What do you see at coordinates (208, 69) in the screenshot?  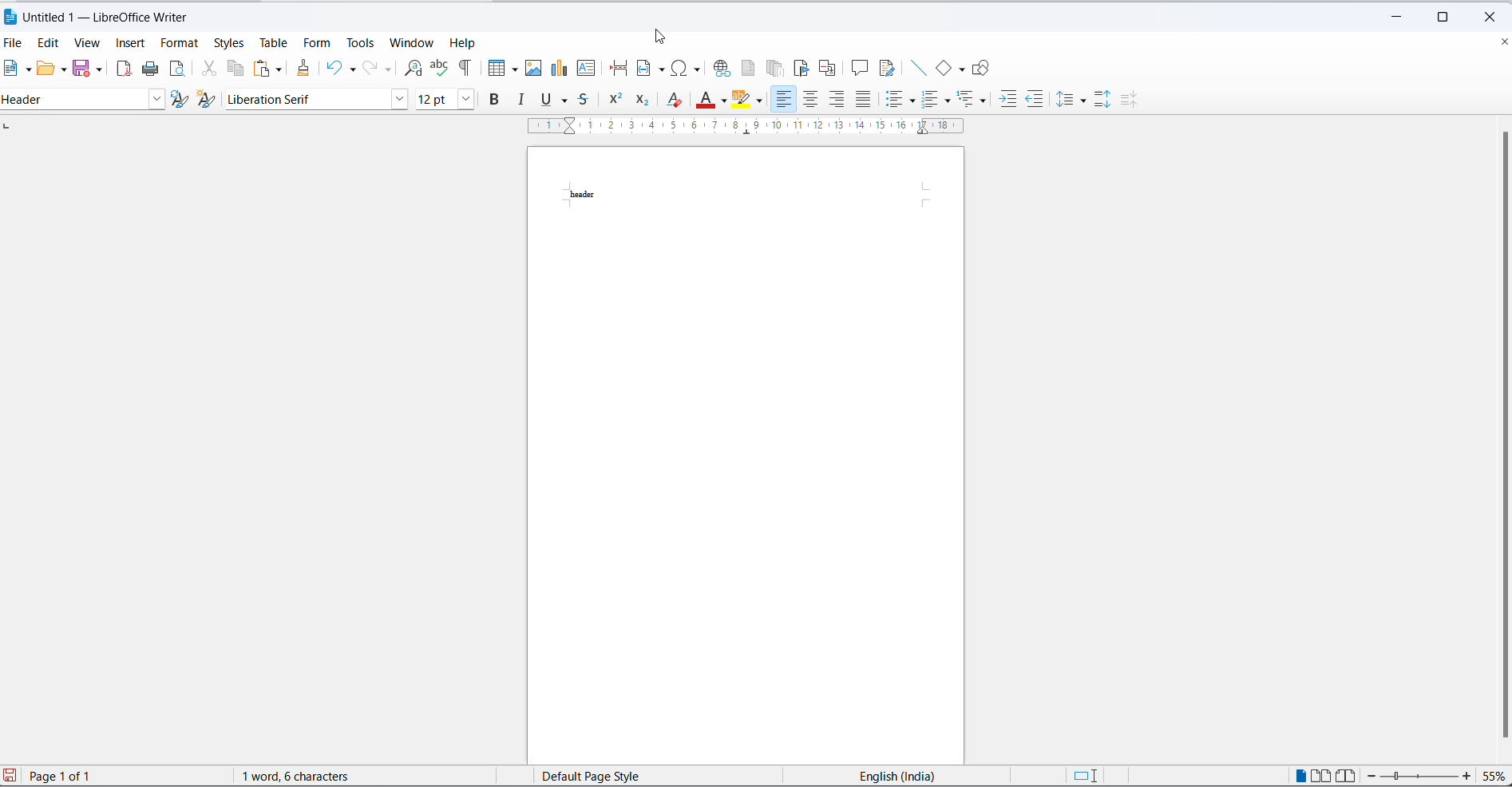 I see `cut` at bounding box center [208, 69].